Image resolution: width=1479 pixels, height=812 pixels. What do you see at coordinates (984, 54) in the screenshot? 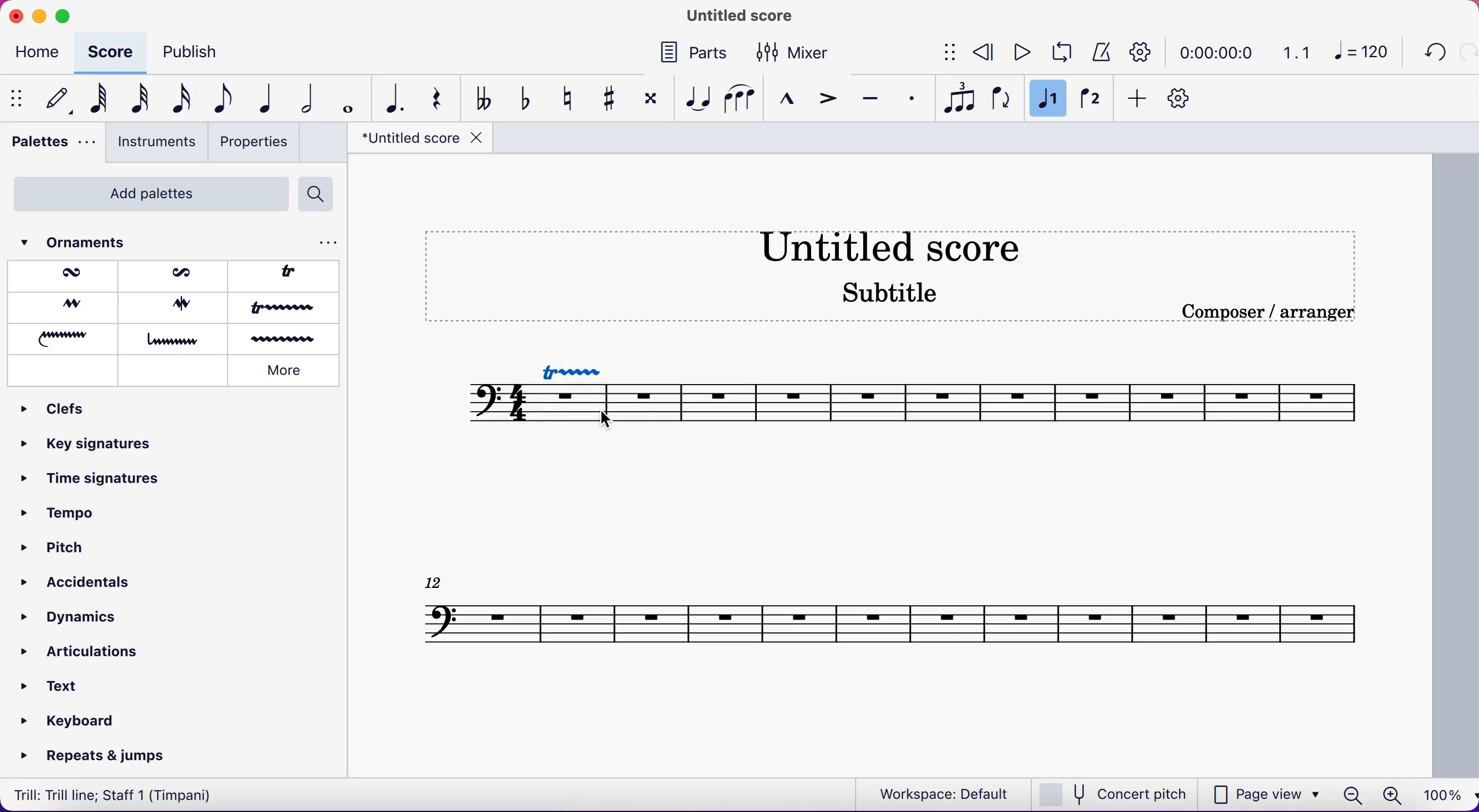
I see `rewind` at bounding box center [984, 54].